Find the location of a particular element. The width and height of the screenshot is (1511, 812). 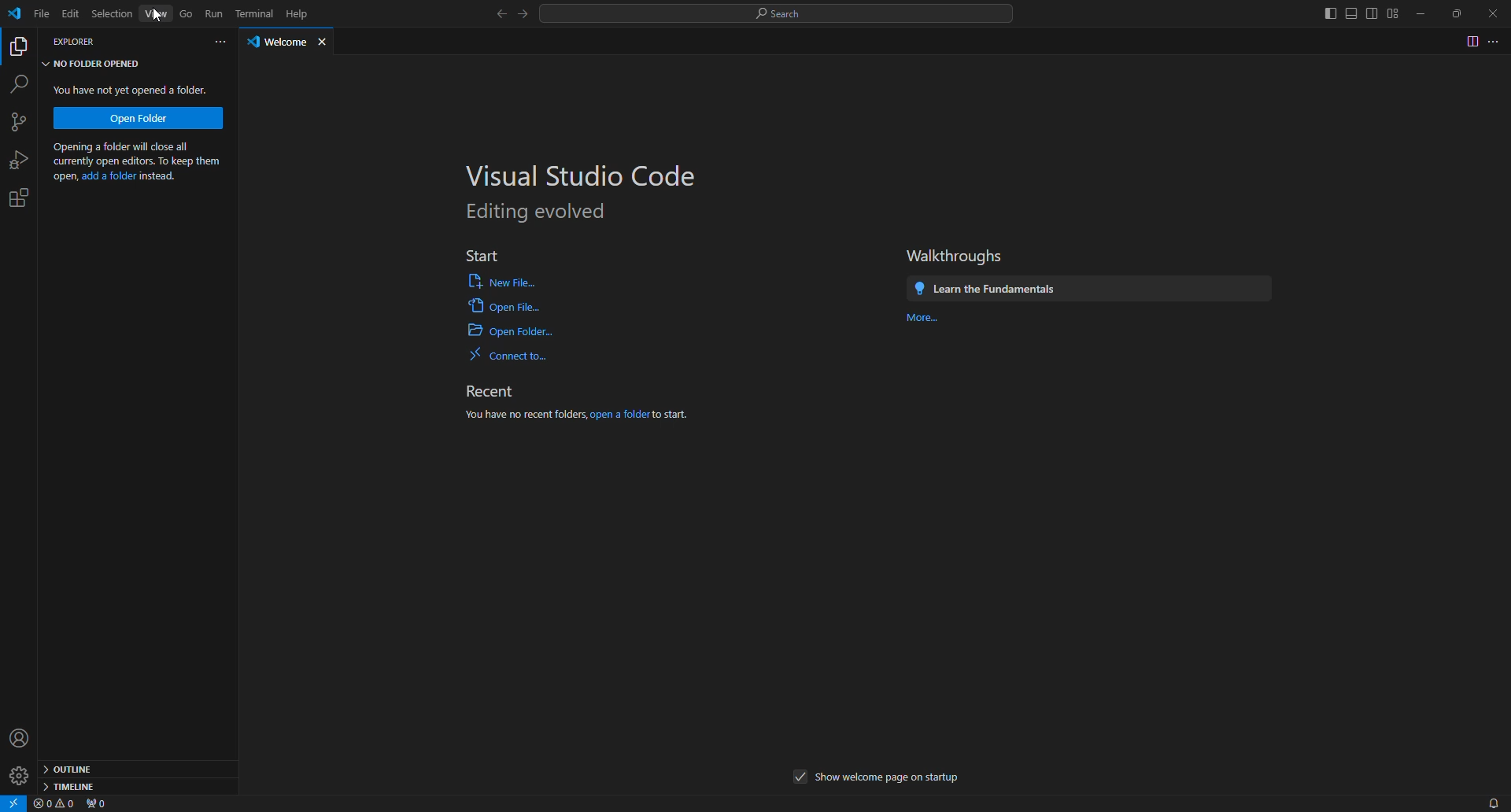

Editing evolved is located at coordinates (539, 212).